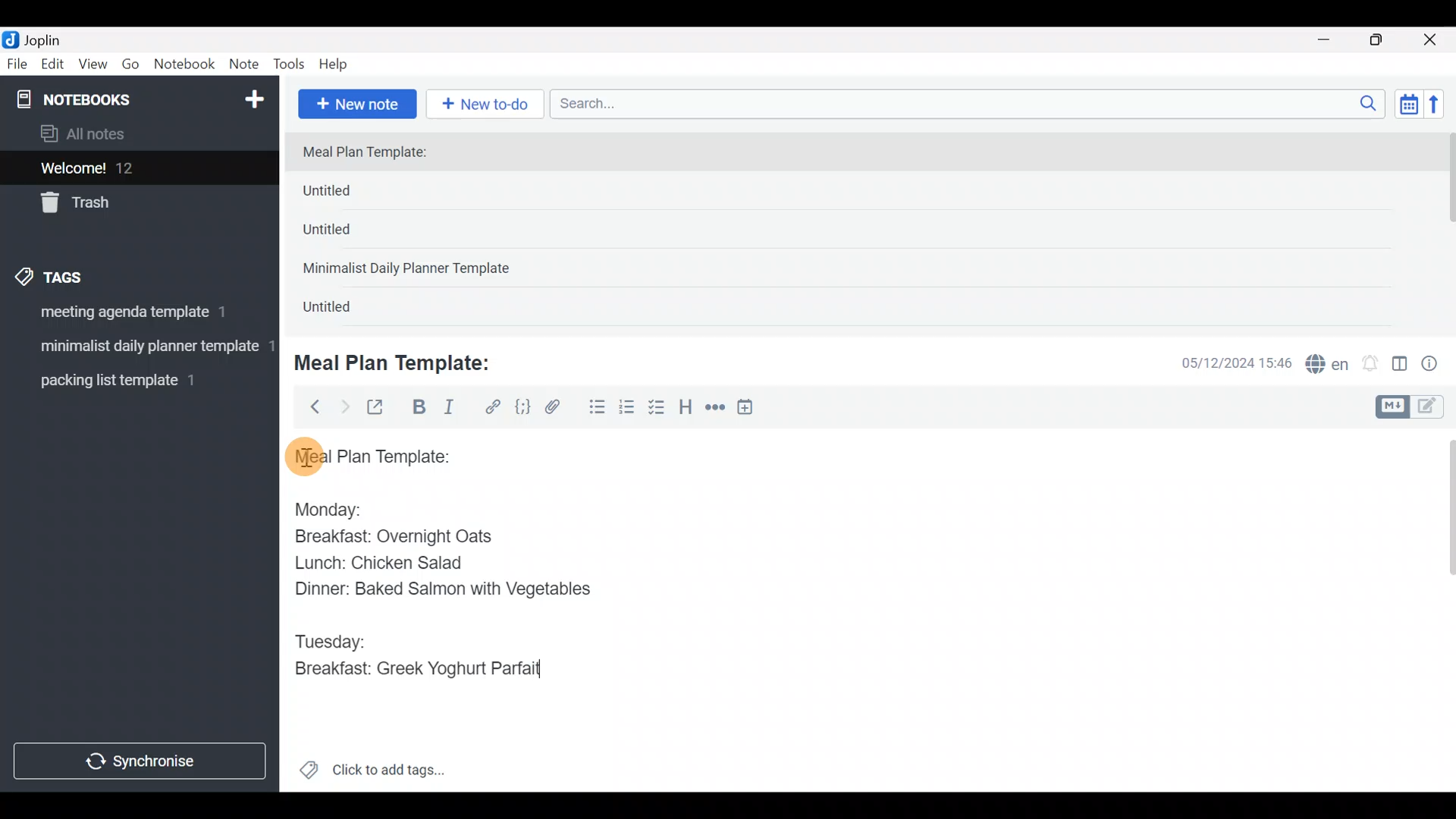 This screenshot has width=1456, height=819. Describe the element at coordinates (402, 361) in the screenshot. I see `Meal Plan Template:` at that location.